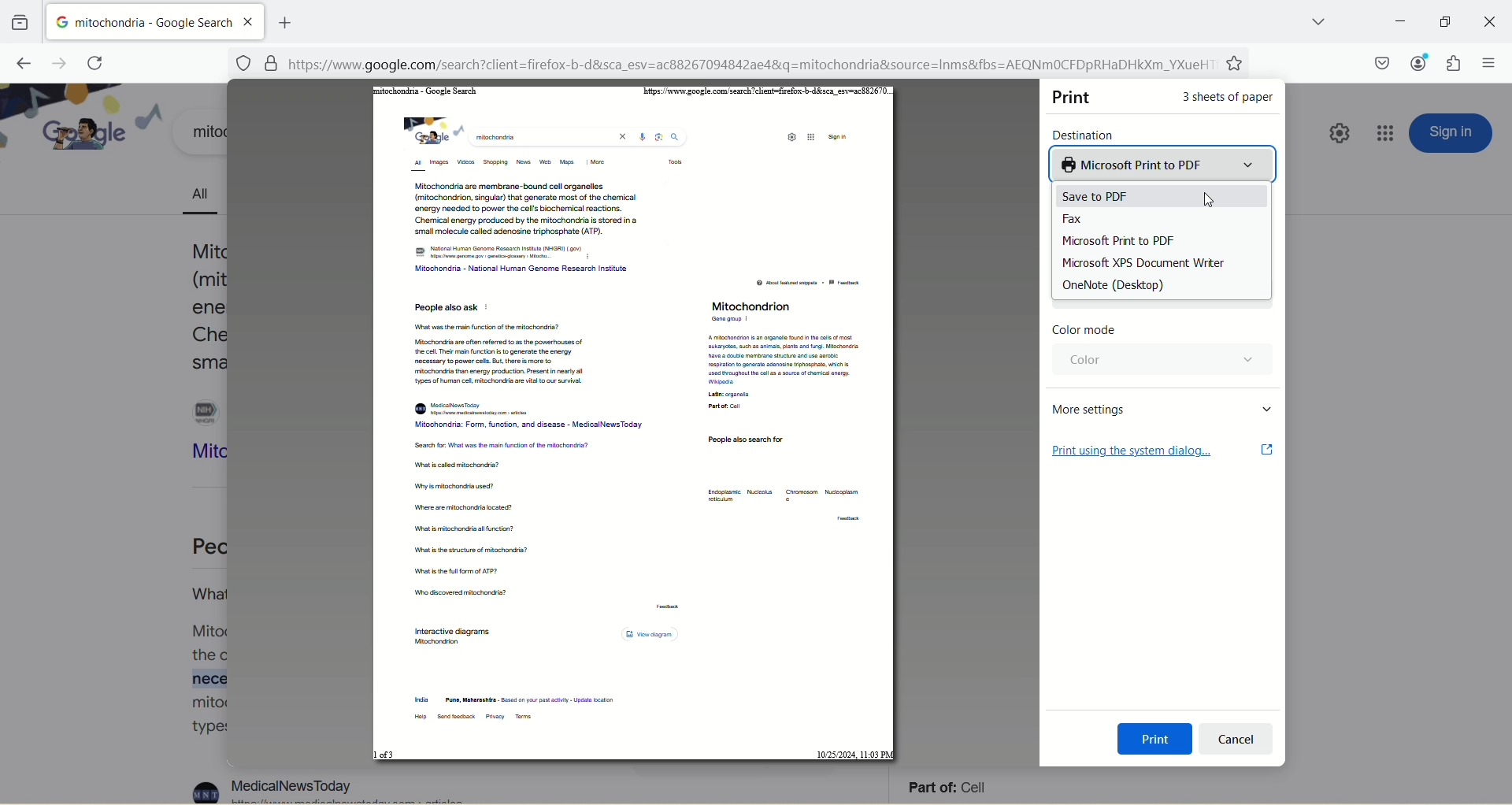 The width and height of the screenshot is (1512, 805). What do you see at coordinates (1457, 63) in the screenshot?
I see `extension` at bounding box center [1457, 63].